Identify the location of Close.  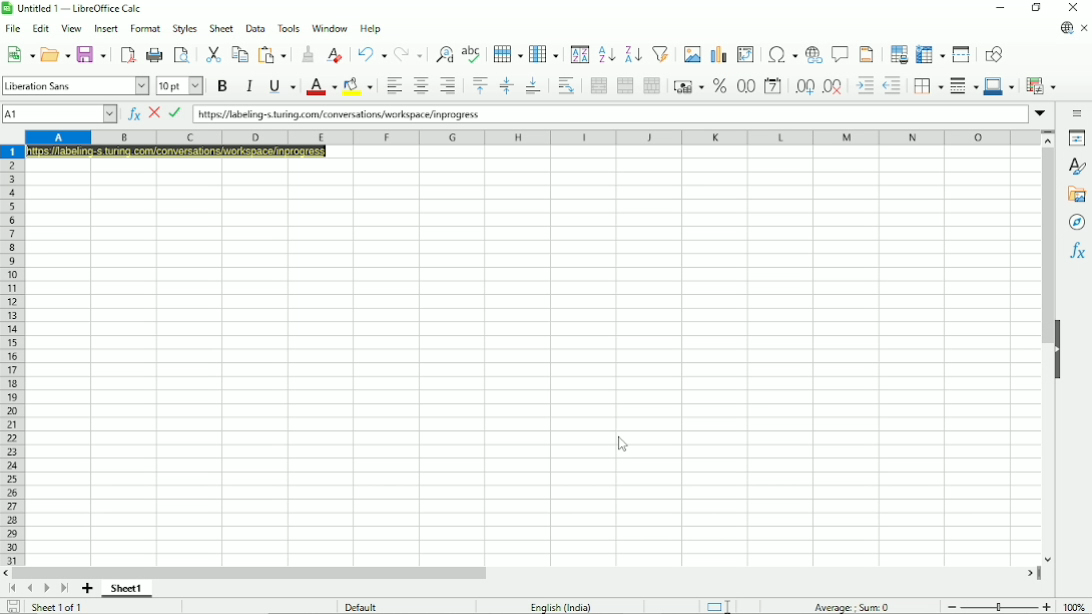
(1075, 8).